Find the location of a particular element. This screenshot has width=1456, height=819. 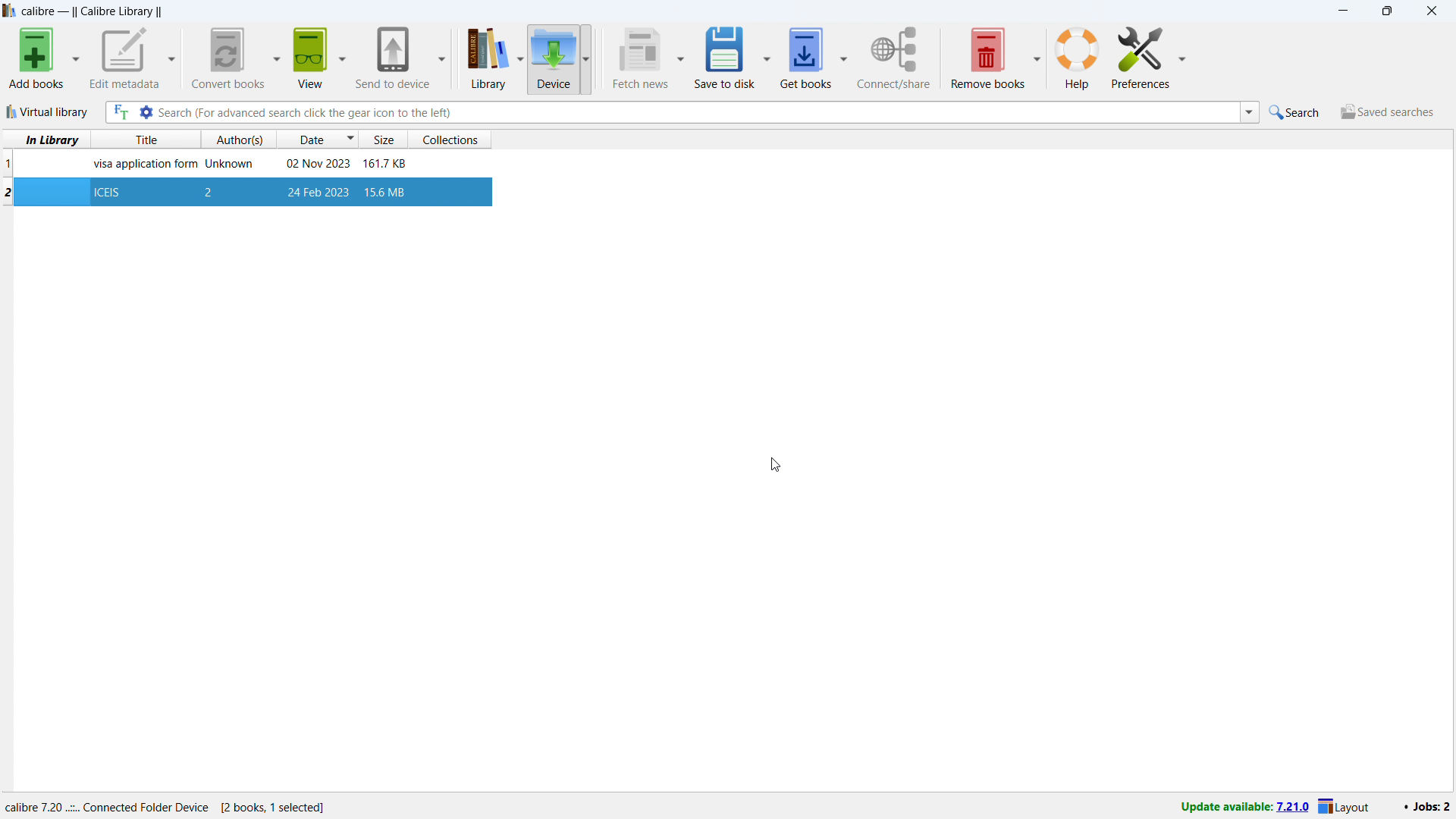

active jobs updated is located at coordinates (1426, 806).